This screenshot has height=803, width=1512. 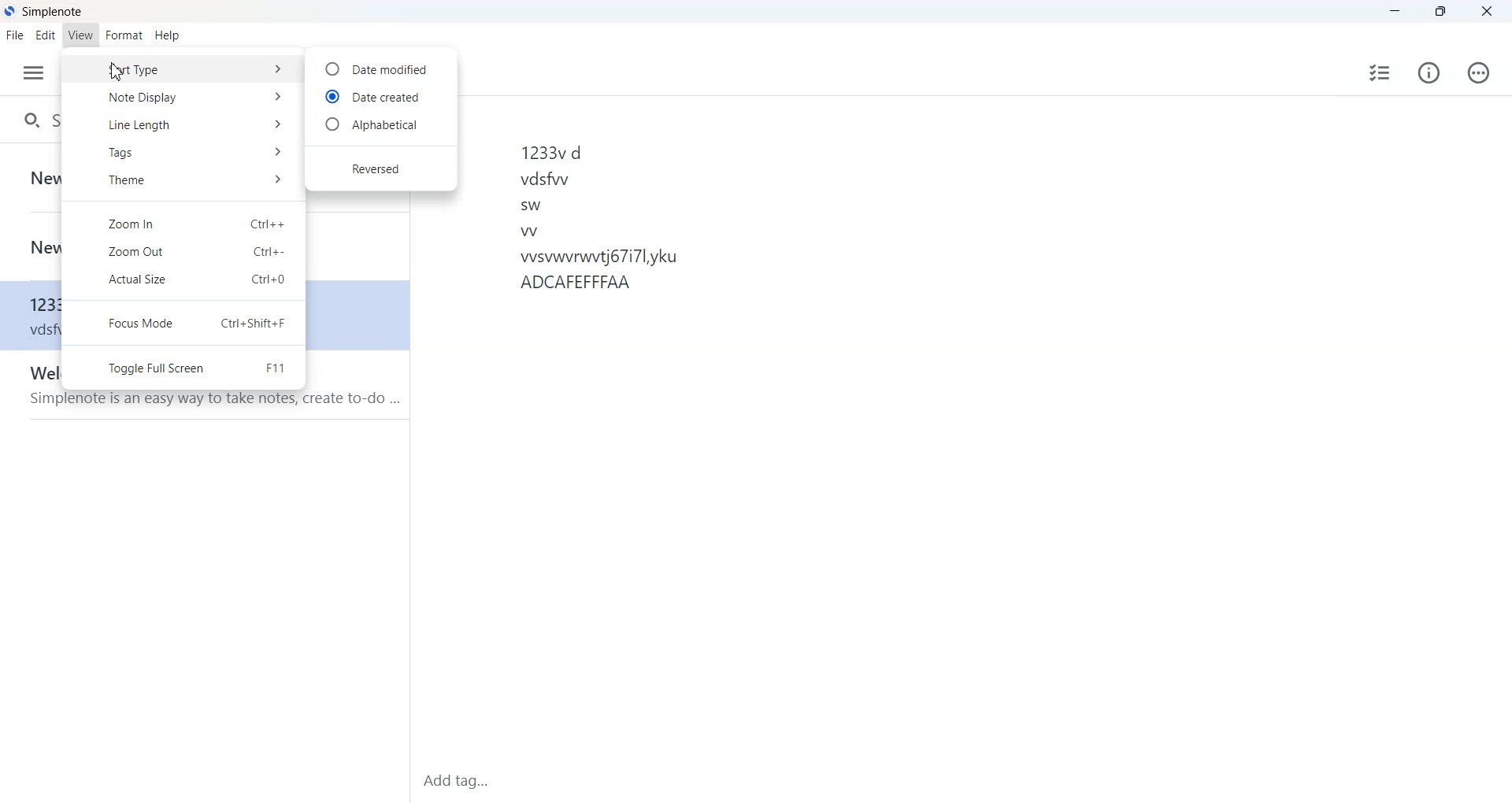 What do you see at coordinates (380, 168) in the screenshot?
I see `Reversed` at bounding box center [380, 168].